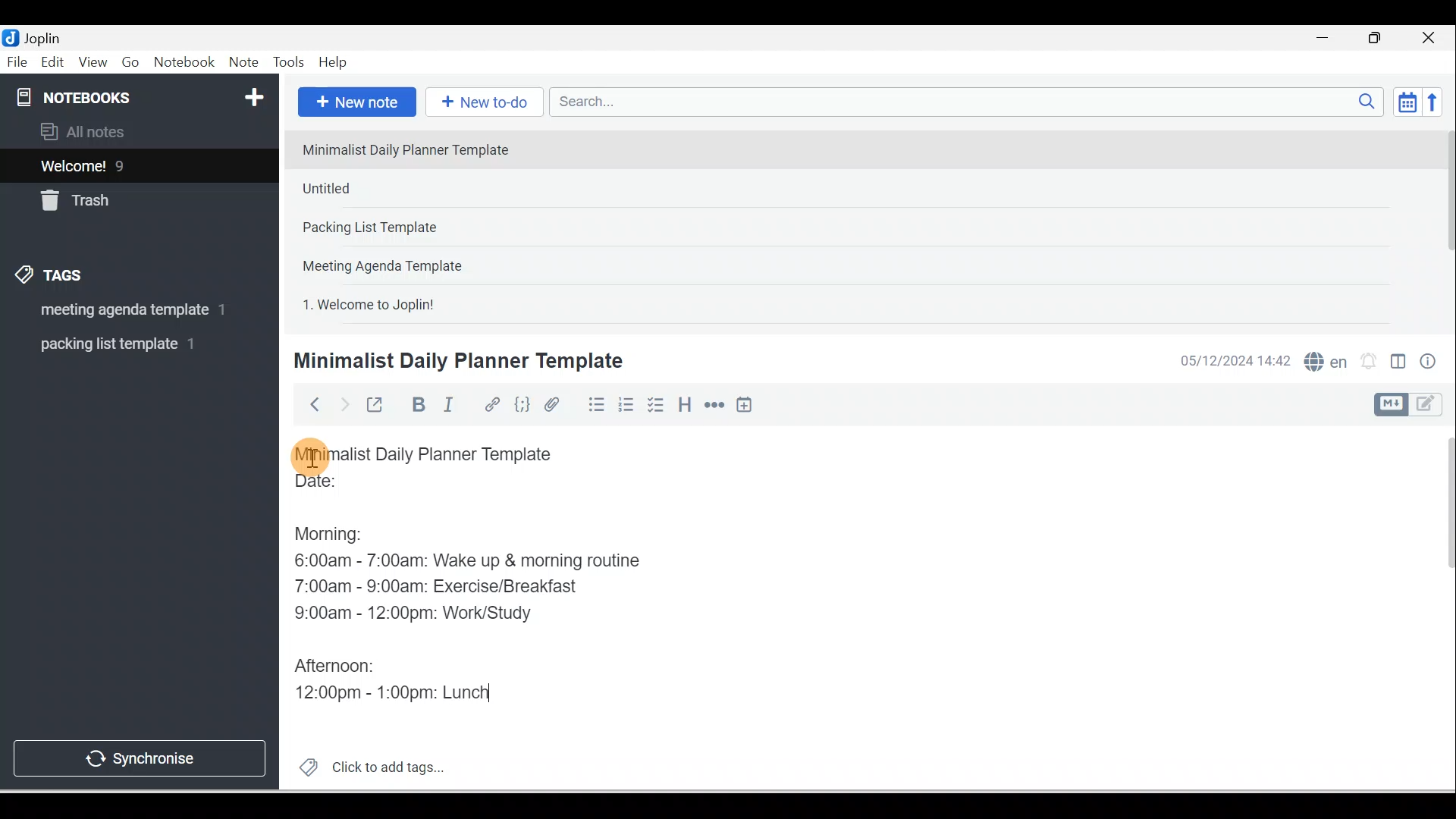  I want to click on Morning:, so click(340, 530).